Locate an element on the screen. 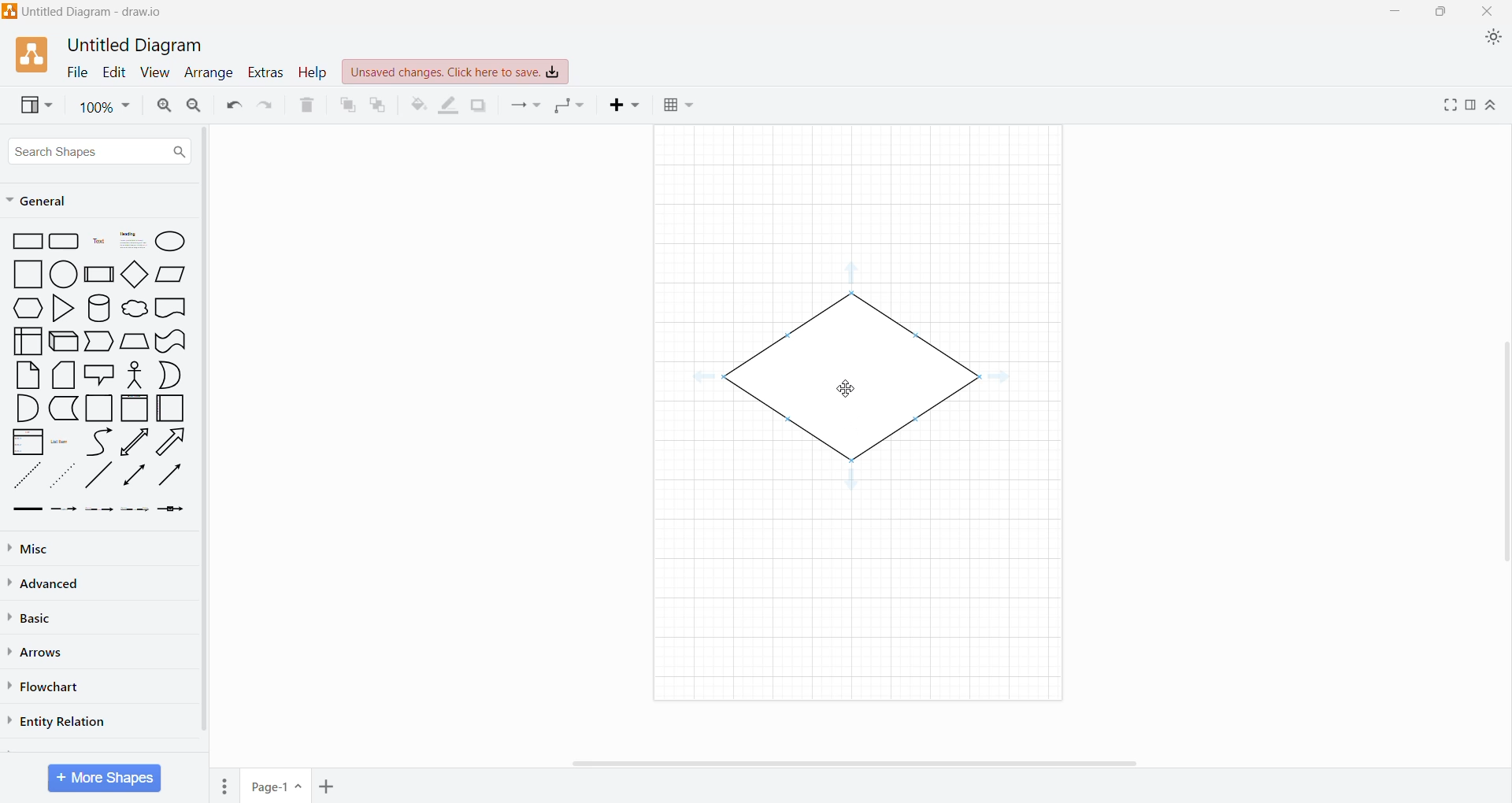  Basic is located at coordinates (39, 616).